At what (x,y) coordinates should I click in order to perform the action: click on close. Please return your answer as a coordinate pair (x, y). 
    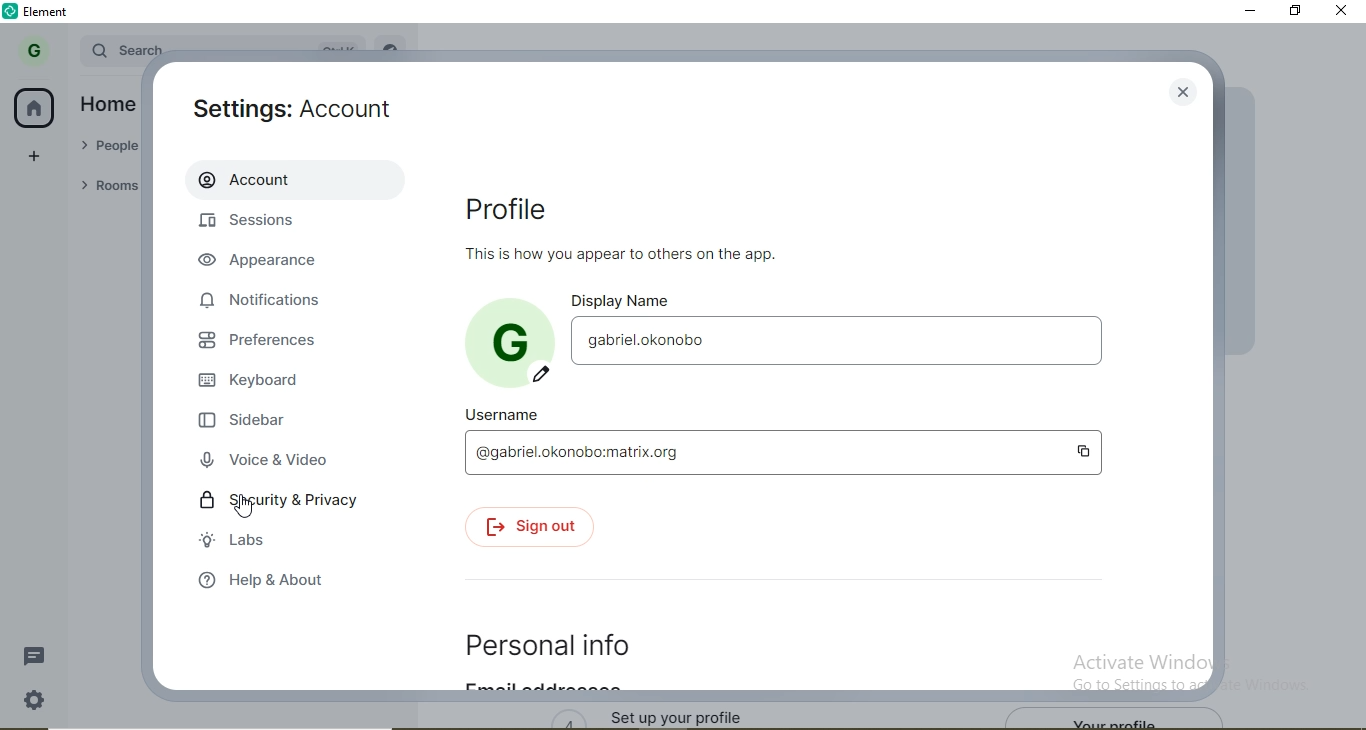
    Looking at the image, I should click on (1183, 98).